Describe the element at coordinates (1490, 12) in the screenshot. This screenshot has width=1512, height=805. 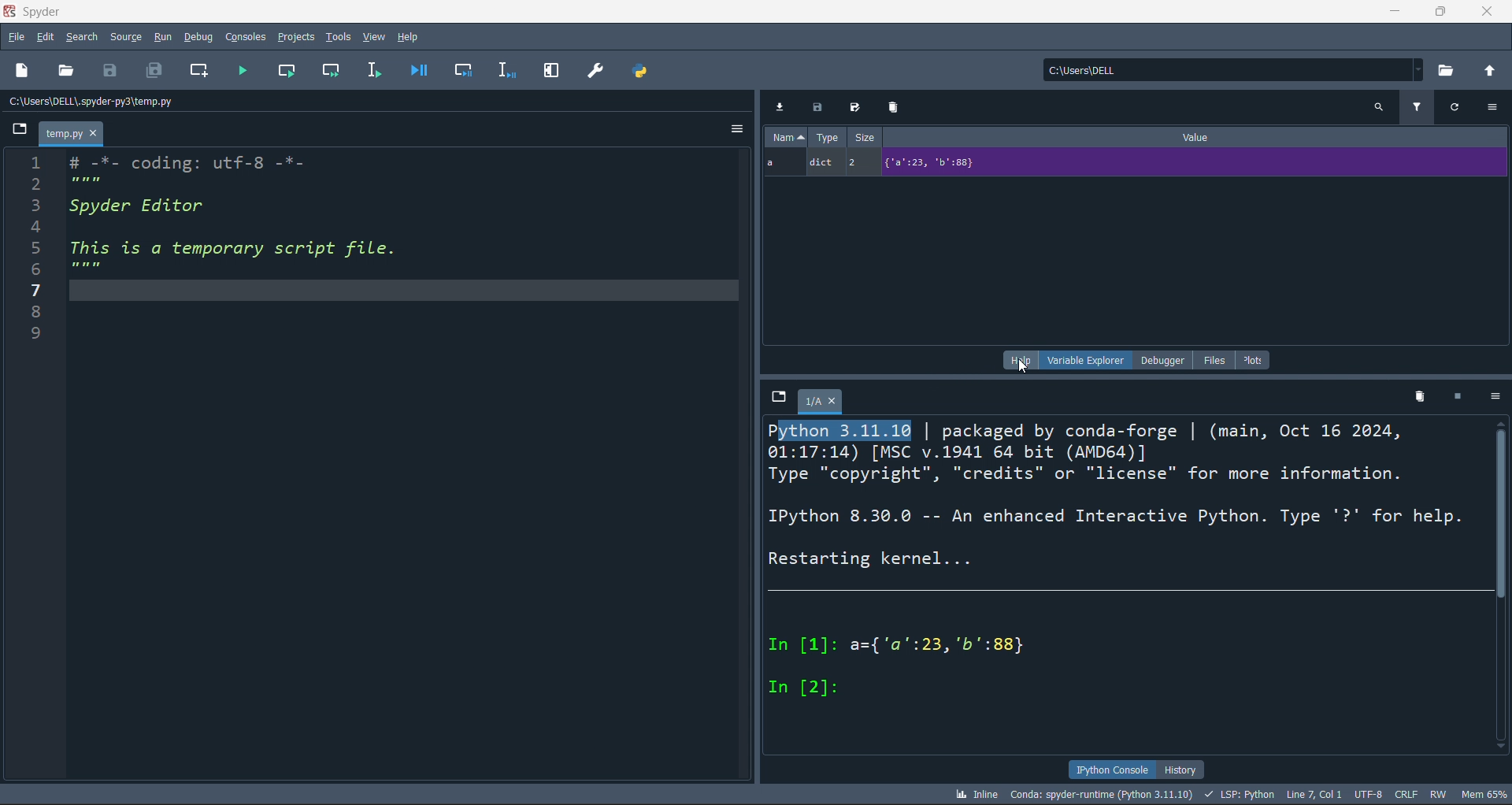
I see `close` at that location.